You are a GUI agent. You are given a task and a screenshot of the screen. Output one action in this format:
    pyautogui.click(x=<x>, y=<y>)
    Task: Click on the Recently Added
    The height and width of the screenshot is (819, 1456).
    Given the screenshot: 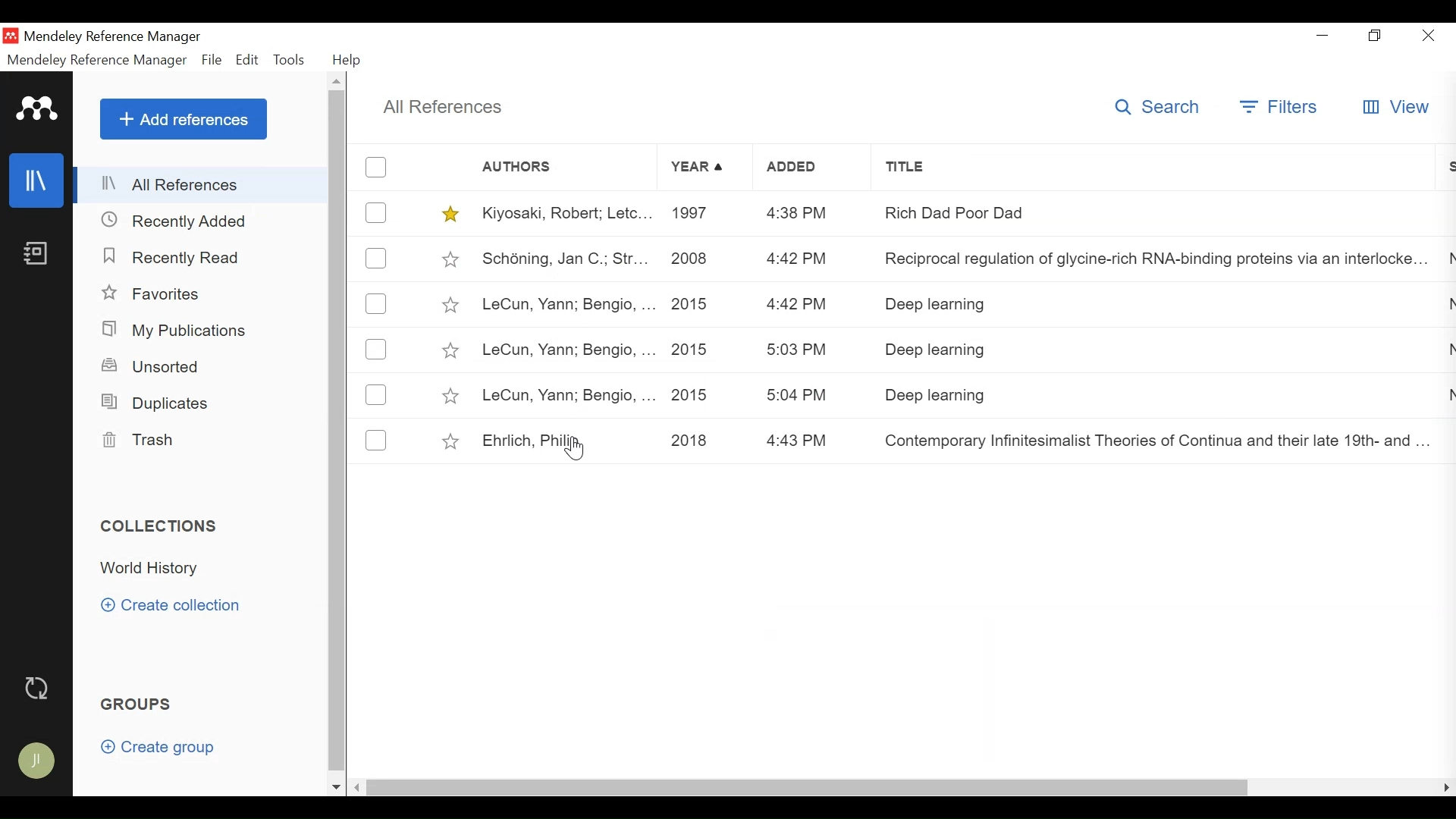 What is the action you would take?
    pyautogui.click(x=183, y=221)
    